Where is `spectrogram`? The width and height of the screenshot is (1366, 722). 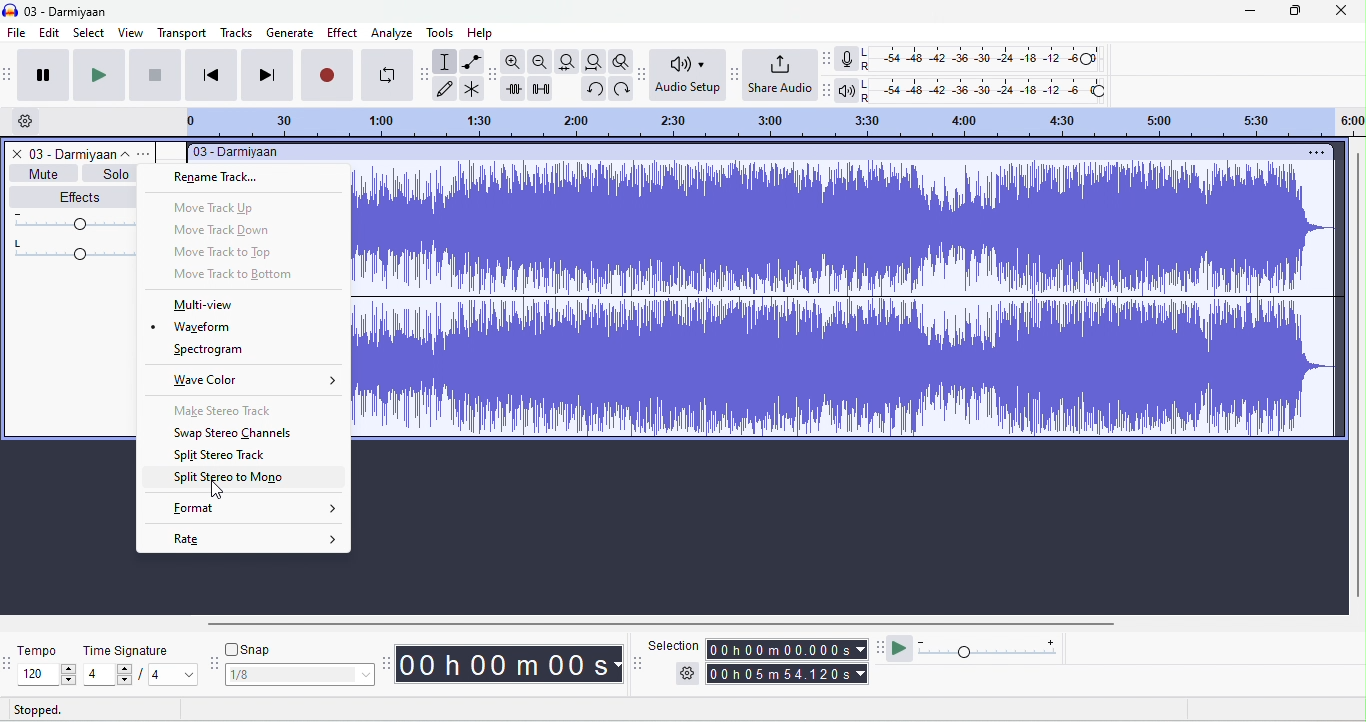
spectrogram is located at coordinates (211, 349).